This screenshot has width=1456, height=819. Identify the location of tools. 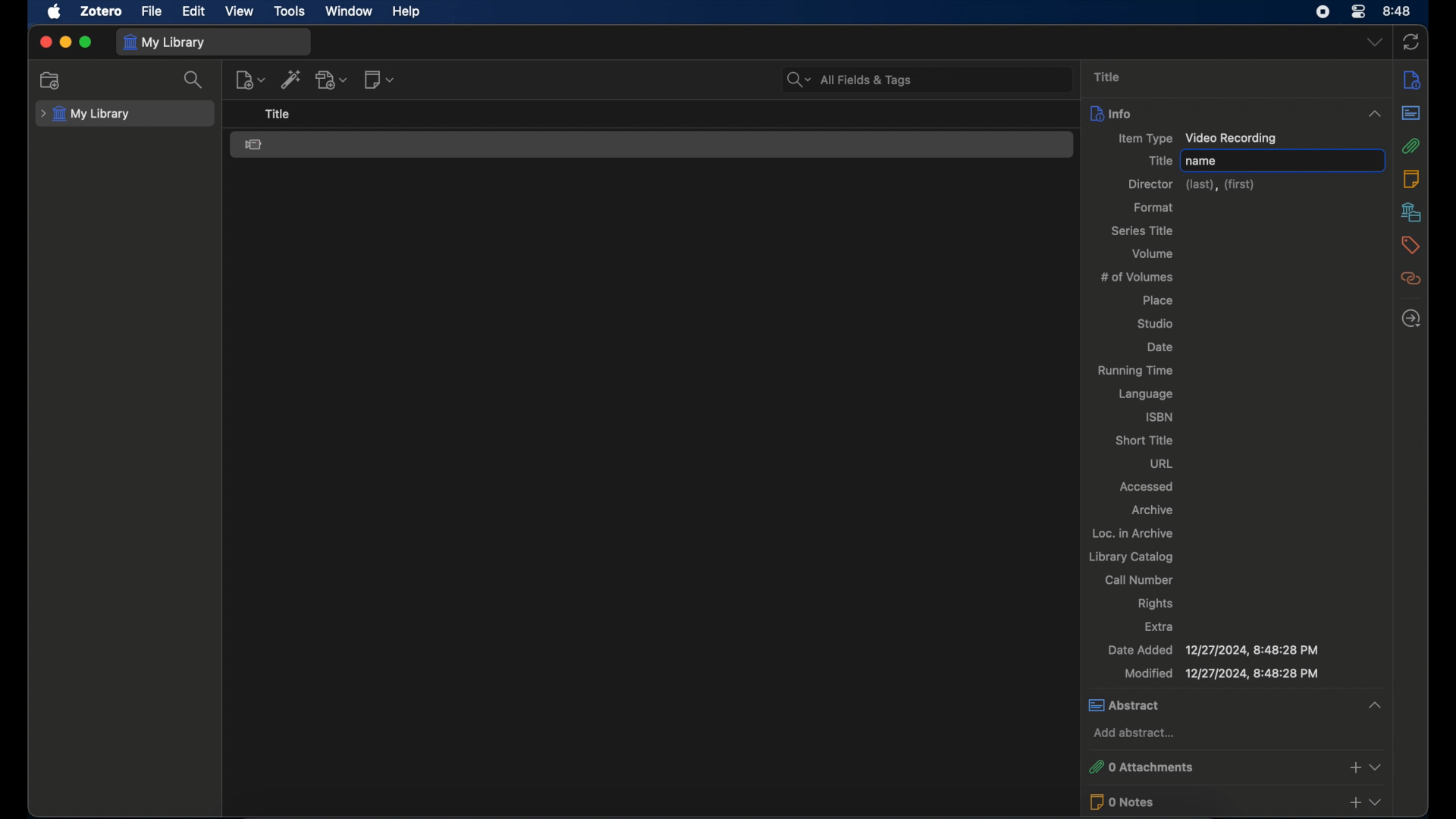
(290, 11).